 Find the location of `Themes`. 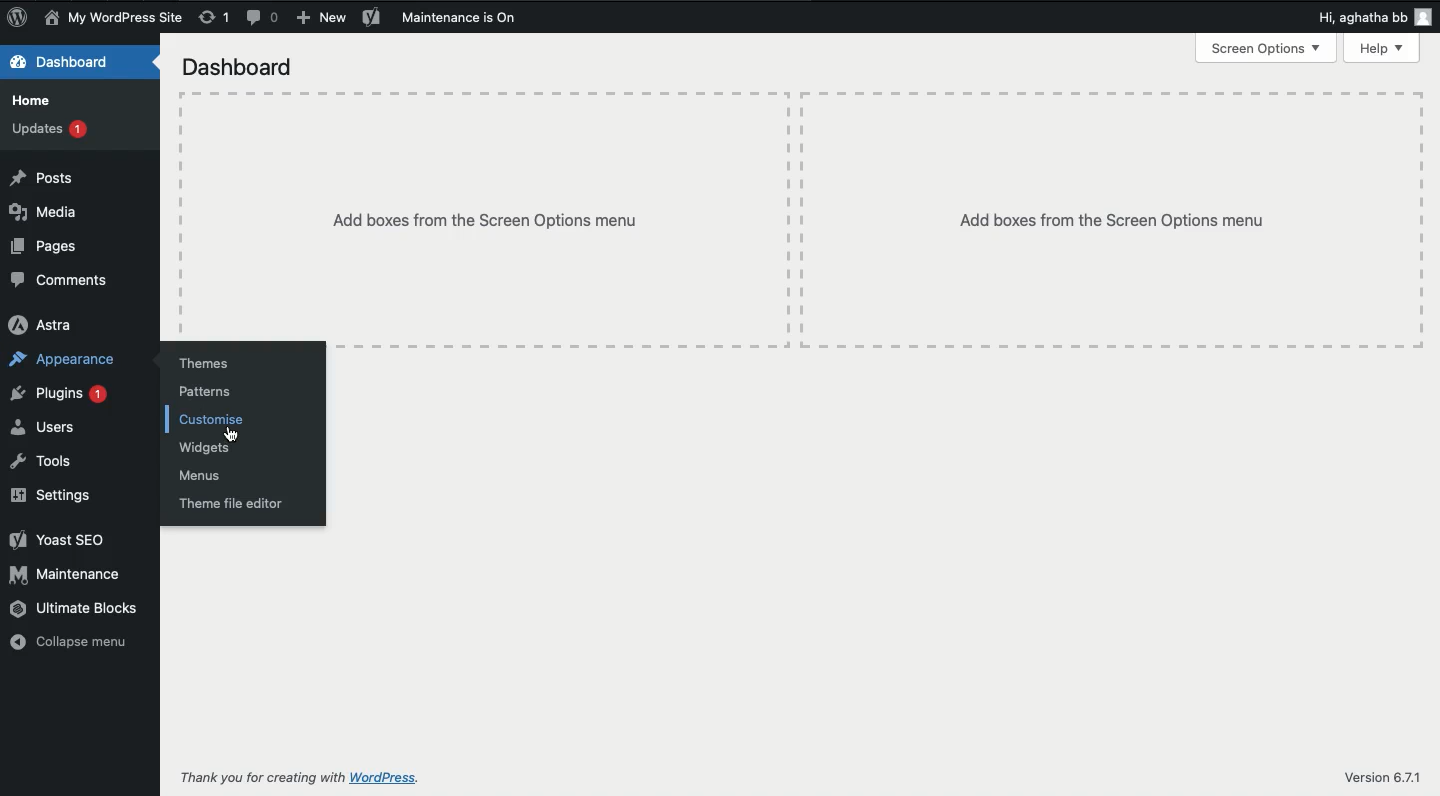

Themes is located at coordinates (205, 364).